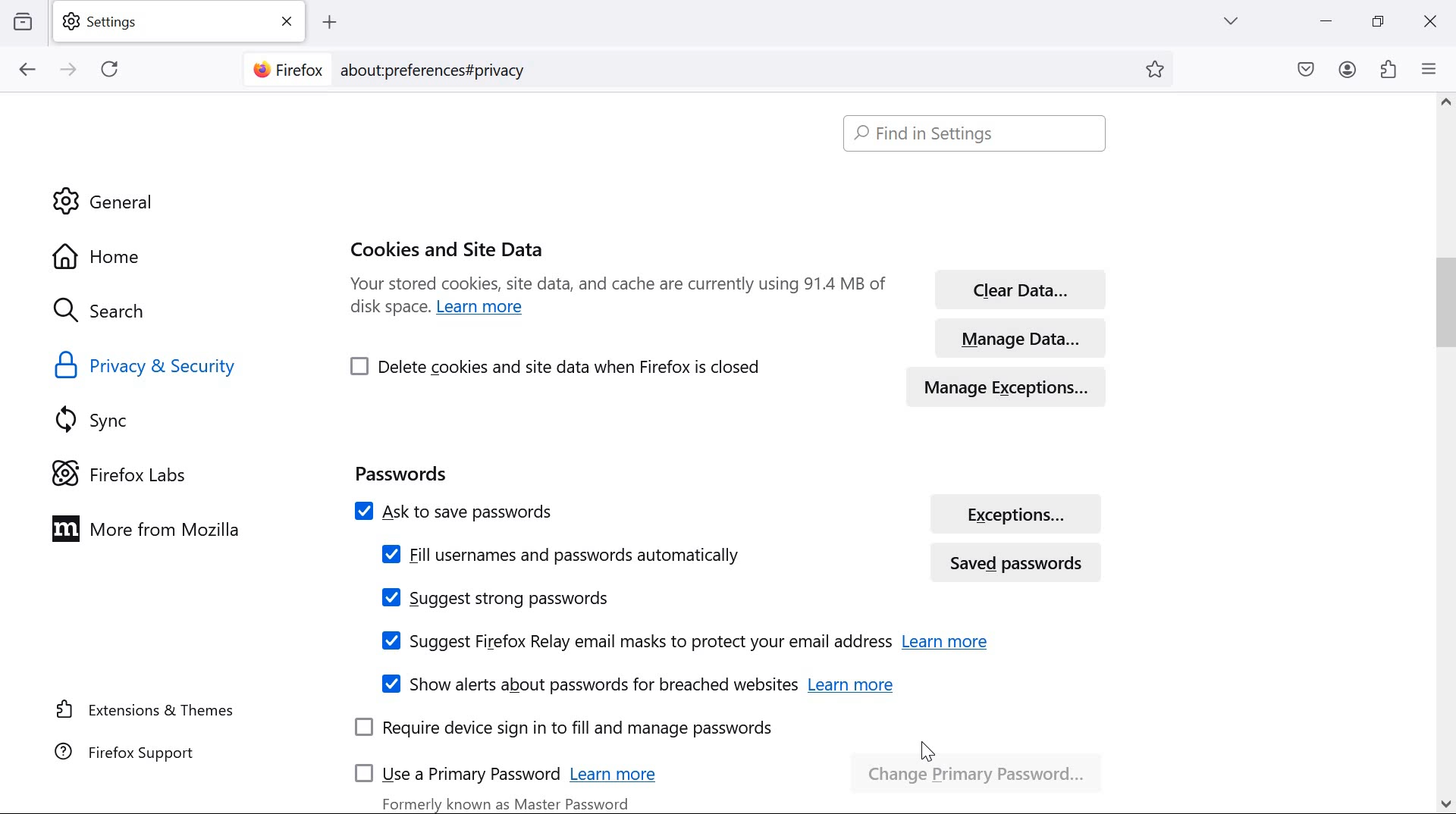 The width and height of the screenshot is (1456, 814). What do you see at coordinates (1348, 70) in the screenshot?
I see `account` at bounding box center [1348, 70].